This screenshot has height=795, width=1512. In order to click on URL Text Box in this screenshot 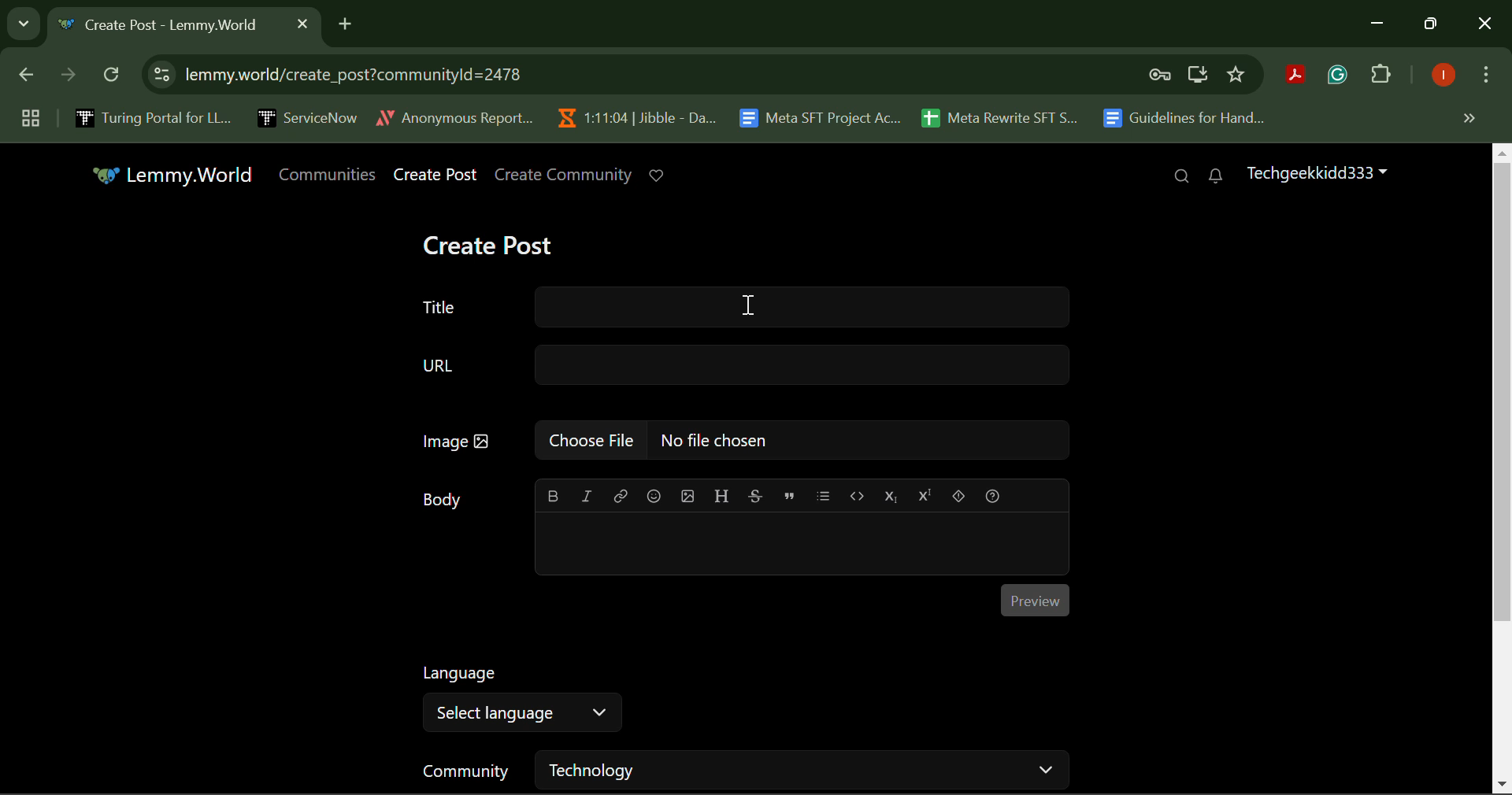, I will do `click(747, 364)`.